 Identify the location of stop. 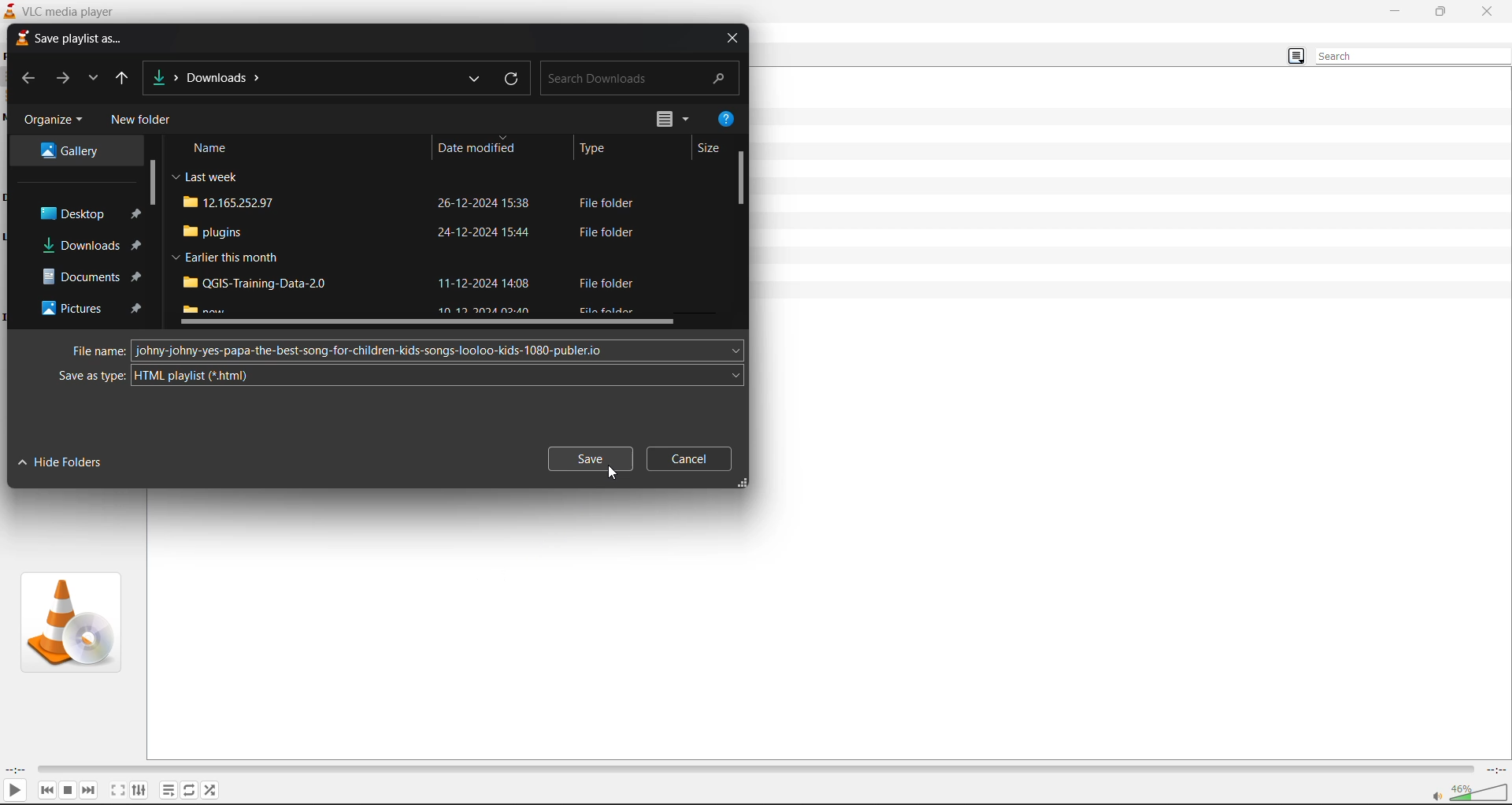
(67, 789).